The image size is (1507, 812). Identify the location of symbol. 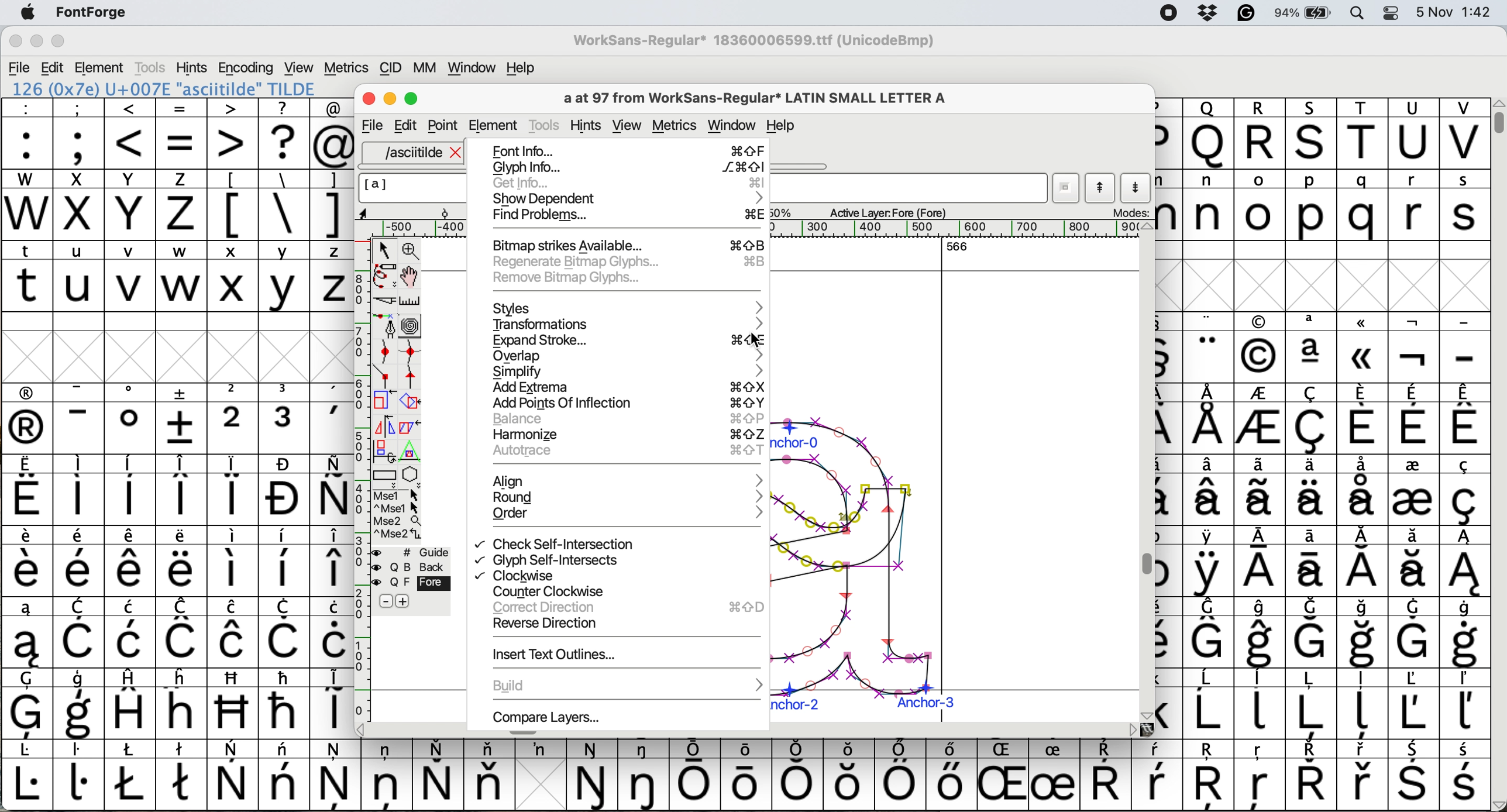
(234, 776).